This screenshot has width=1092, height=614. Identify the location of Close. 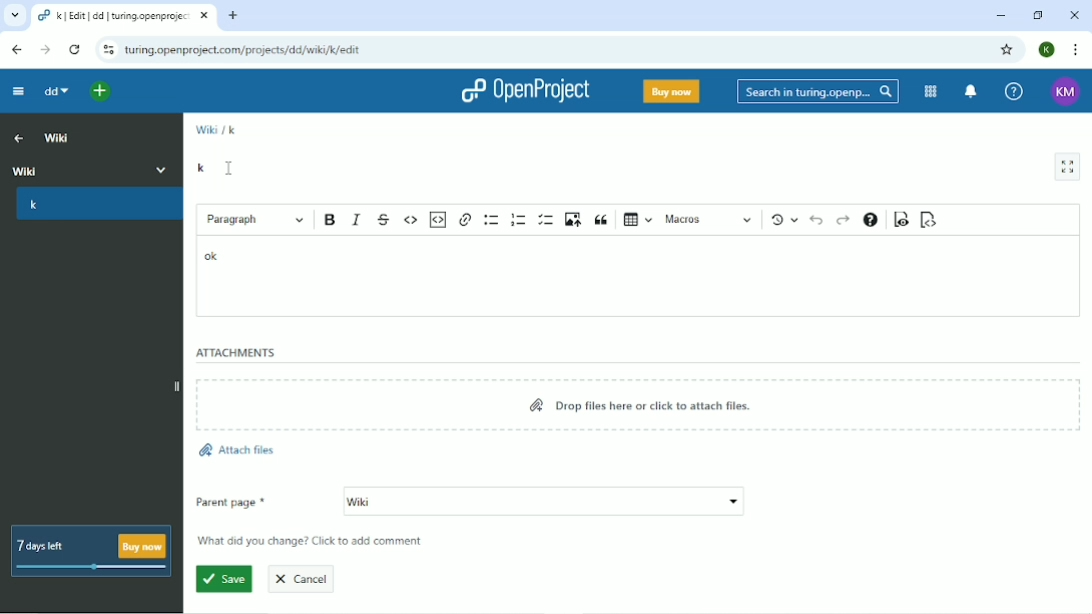
(1073, 15).